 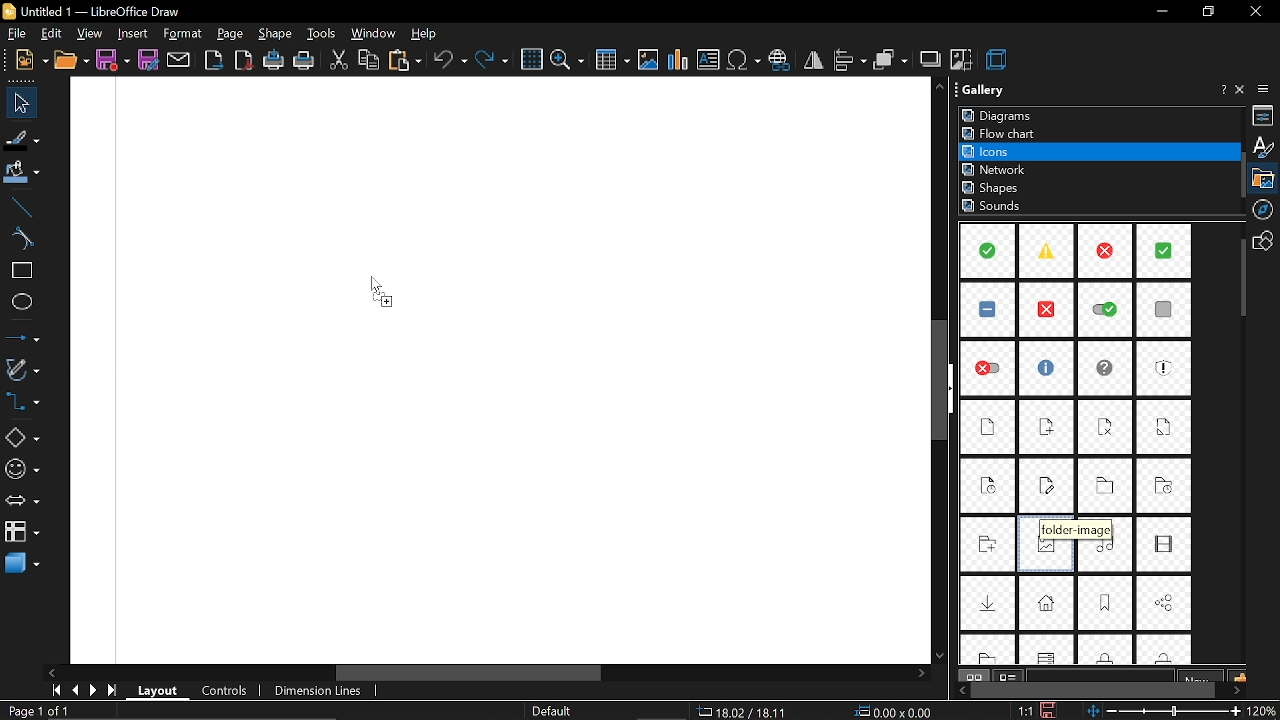 What do you see at coordinates (93, 691) in the screenshot?
I see `next page` at bounding box center [93, 691].